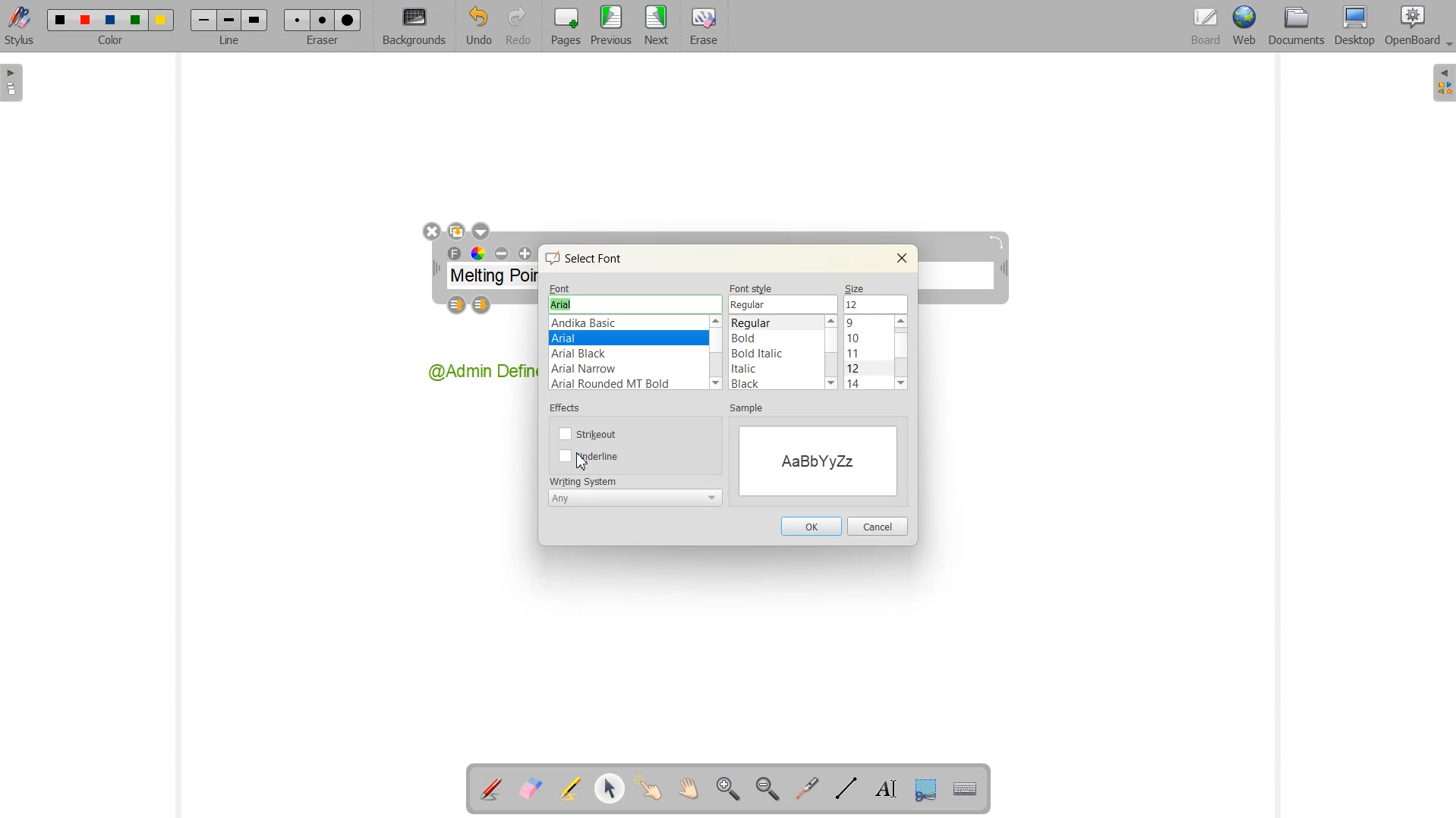 The image size is (1456, 818). I want to click on Line, so click(228, 27).